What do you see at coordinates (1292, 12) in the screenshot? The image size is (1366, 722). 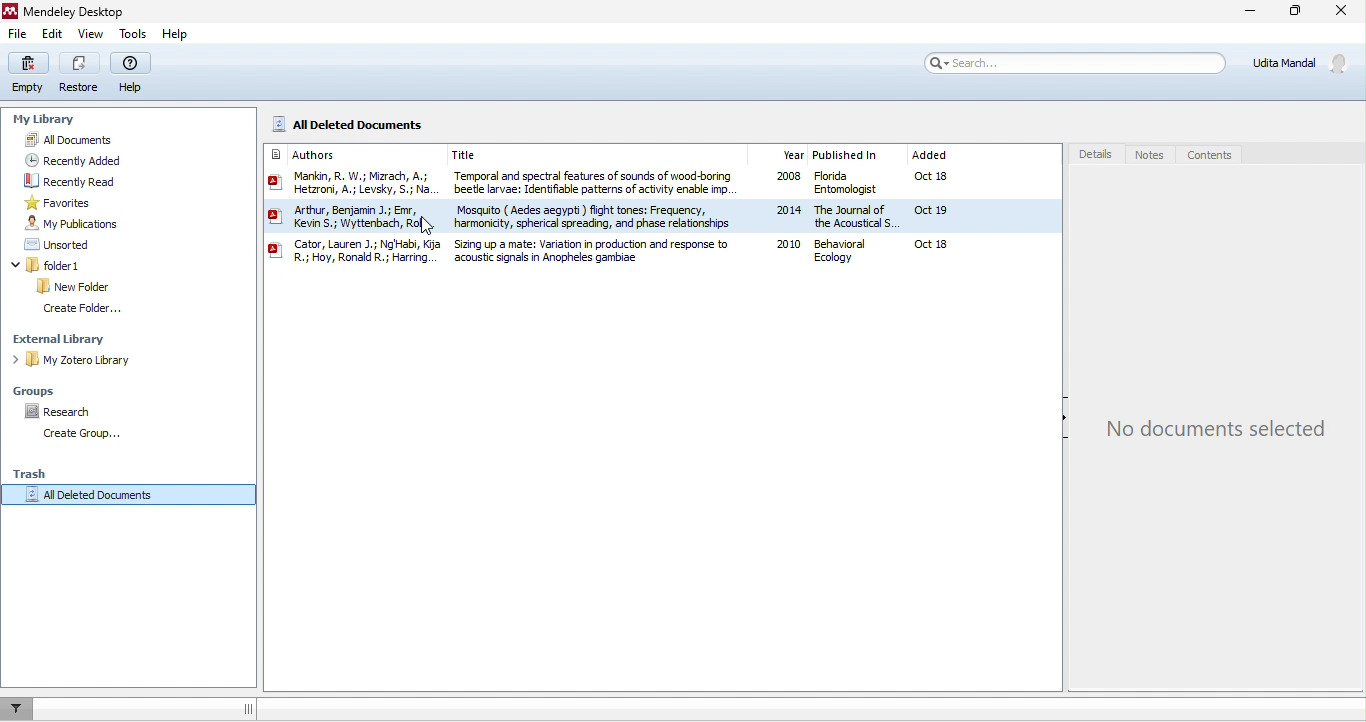 I see `maximize` at bounding box center [1292, 12].